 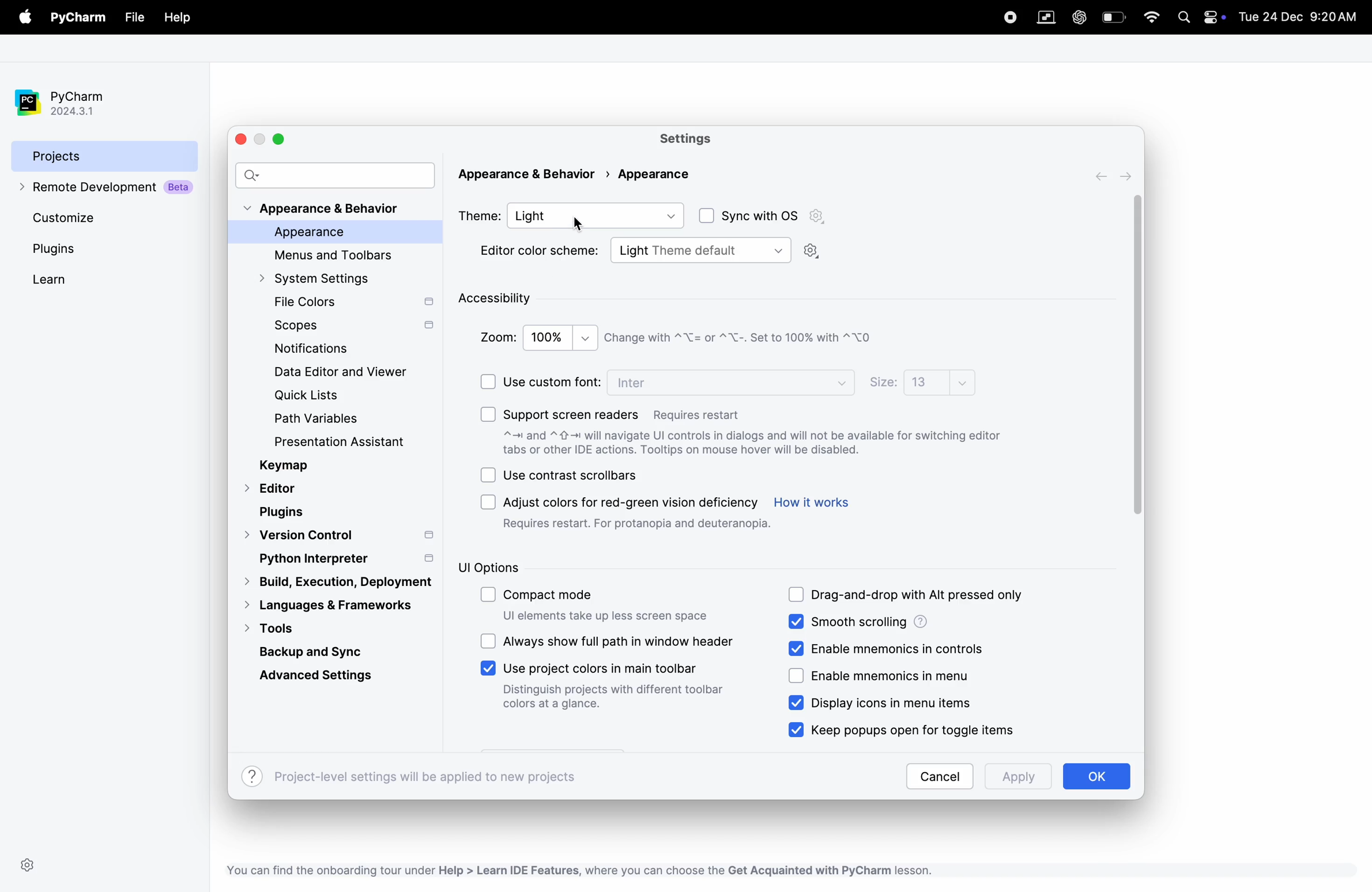 I want to click on settings, so click(x=28, y=865).